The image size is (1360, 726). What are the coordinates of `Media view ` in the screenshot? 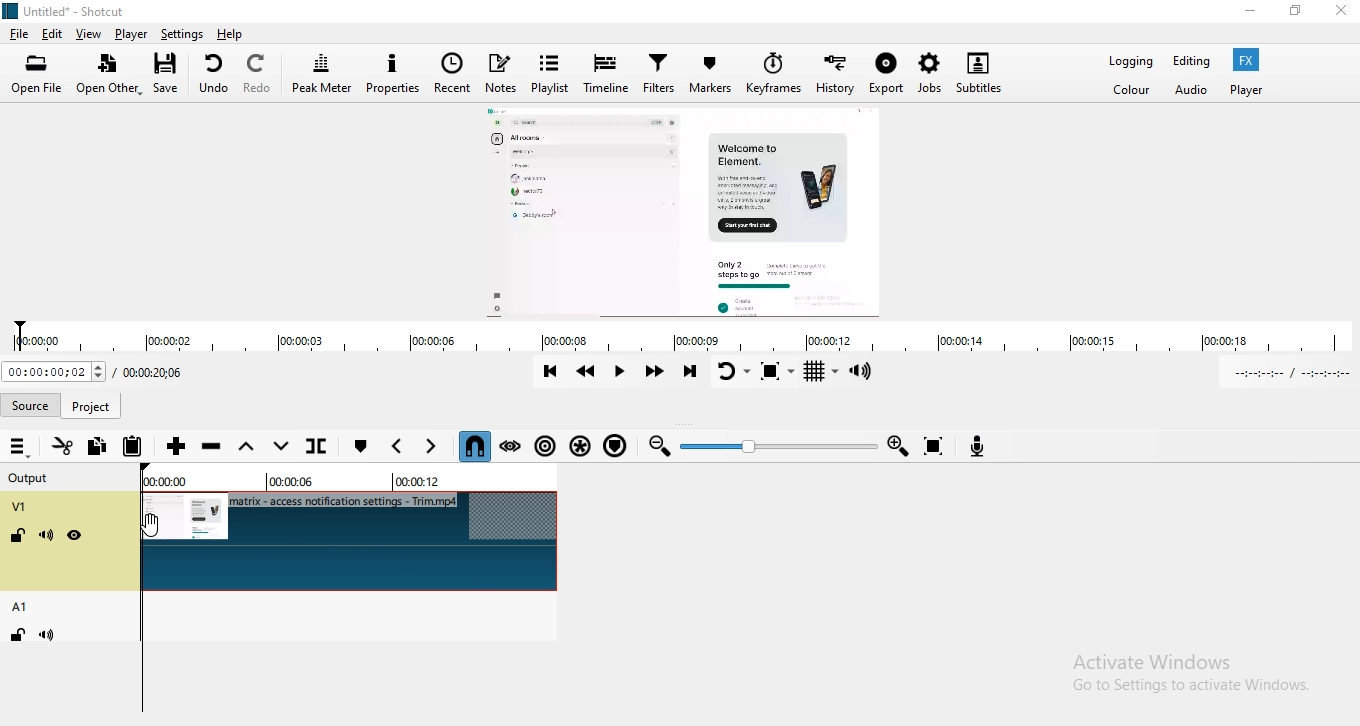 It's located at (690, 214).